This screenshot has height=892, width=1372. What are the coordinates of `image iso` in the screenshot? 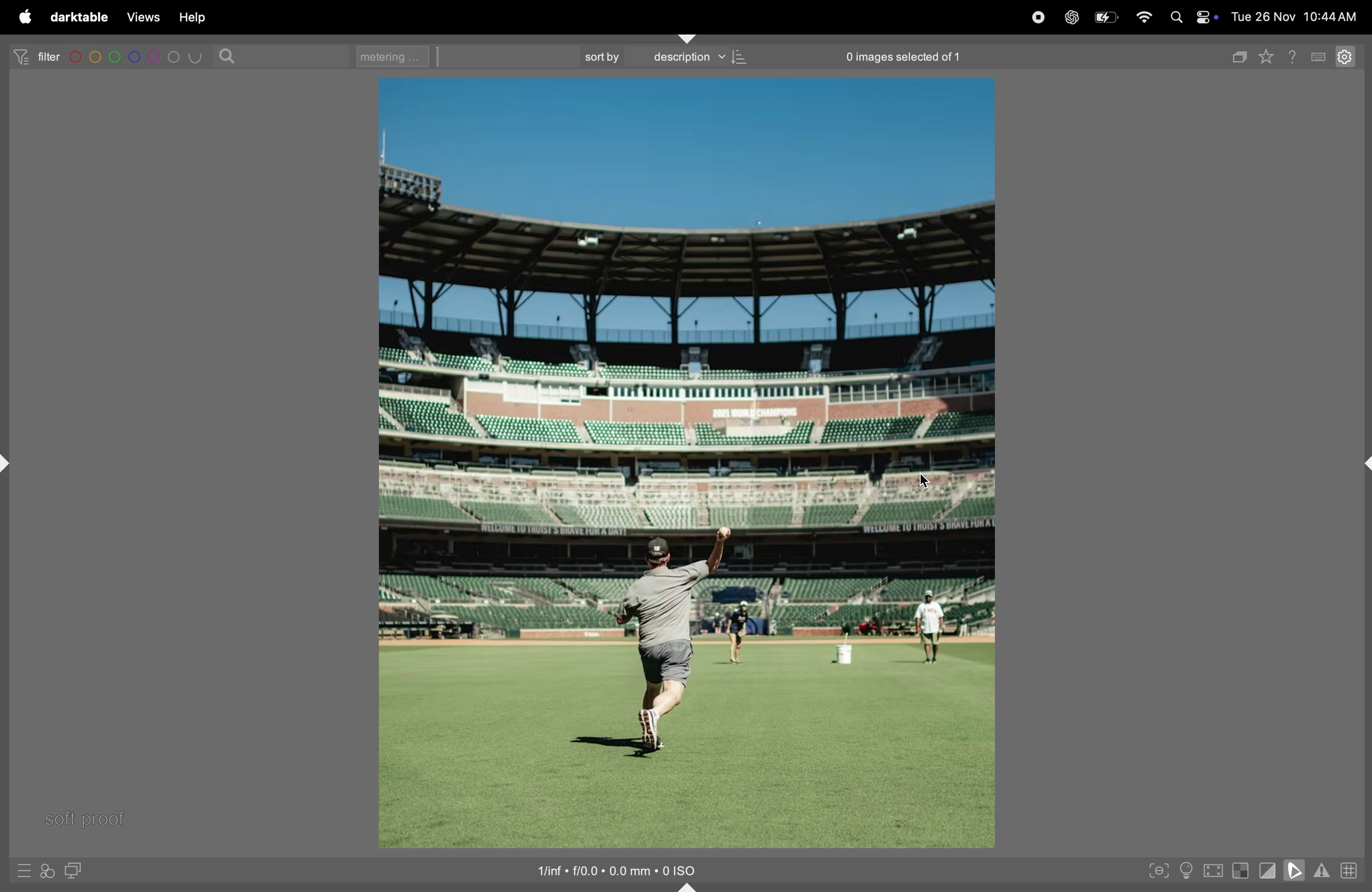 It's located at (615, 870).